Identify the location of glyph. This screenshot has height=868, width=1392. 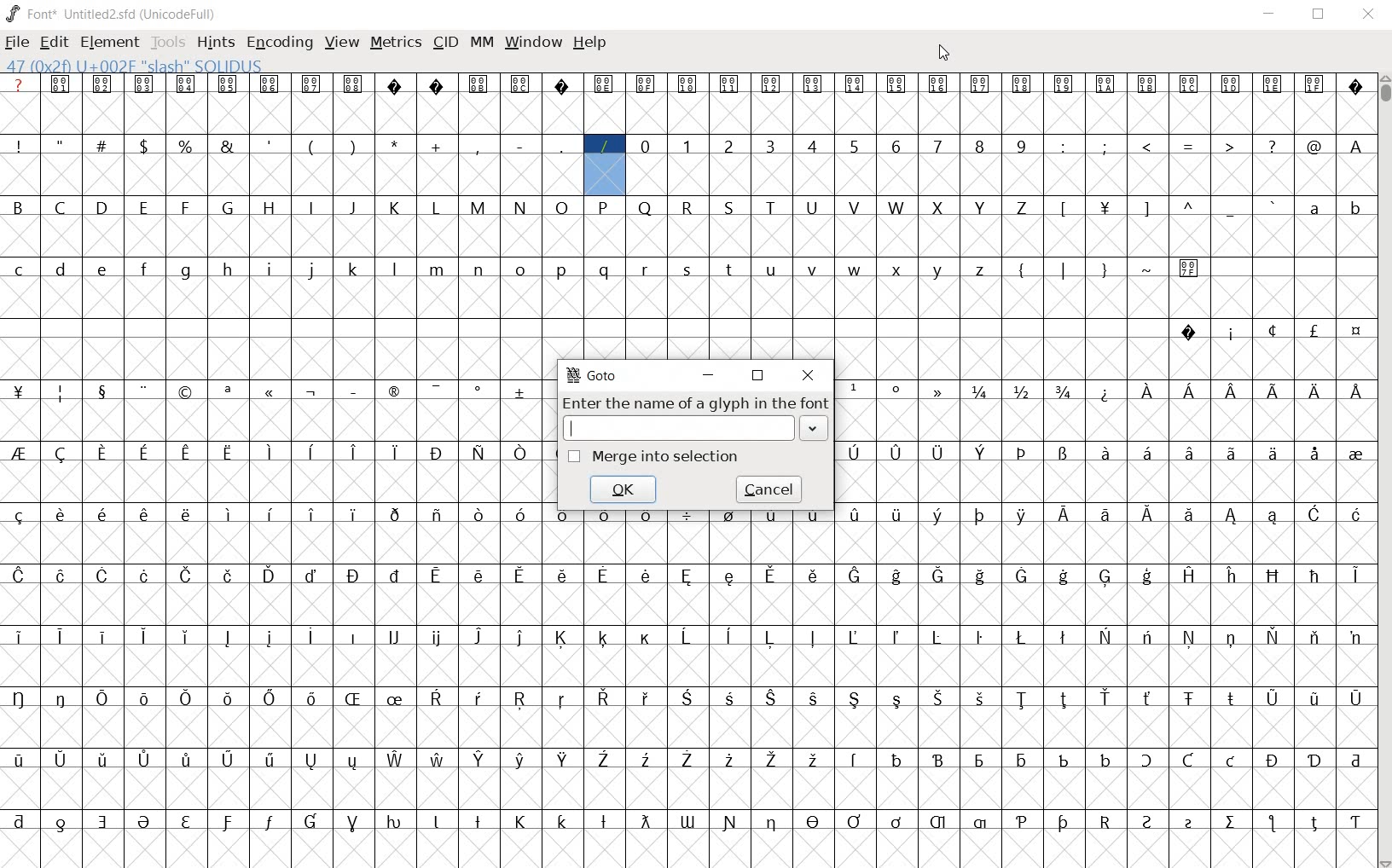
(771, 271).